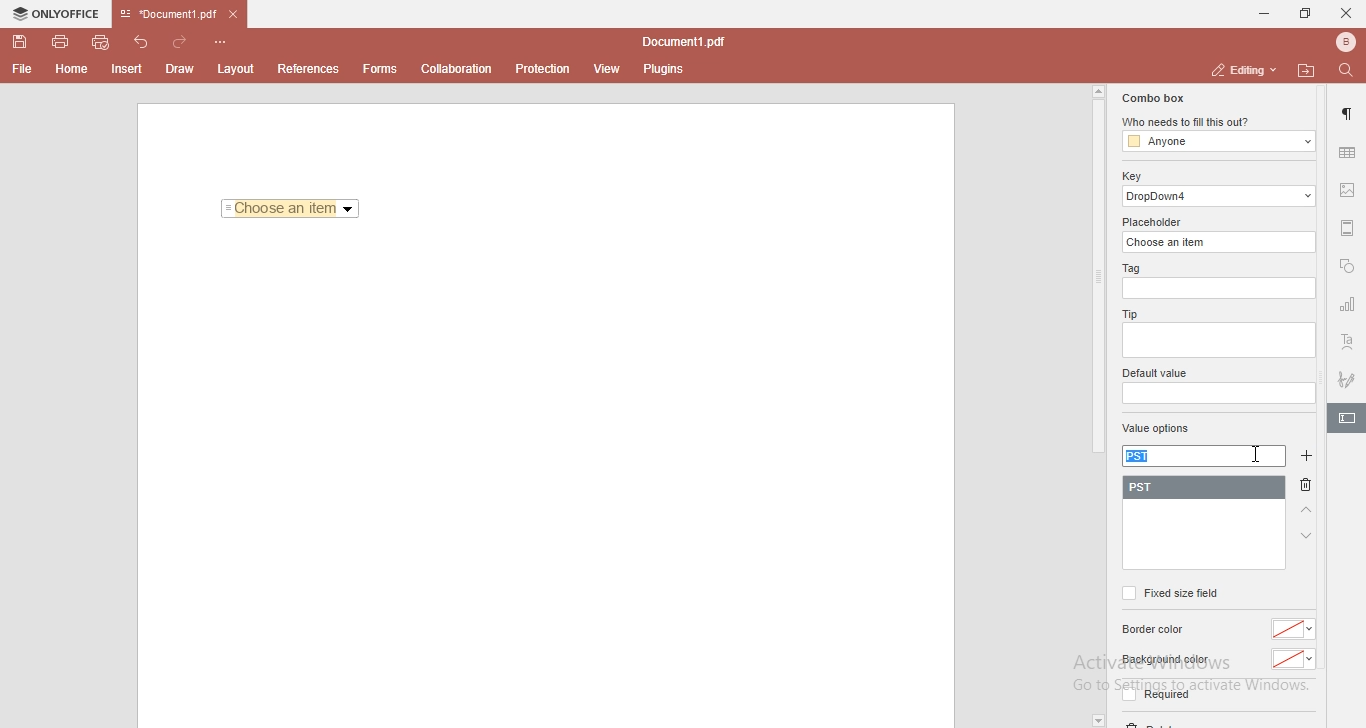 The image size is (1366, 728). What do you see at coordinates (1349, 192) in the screenshot?
I see `image` at bounding box center [1349, 192].